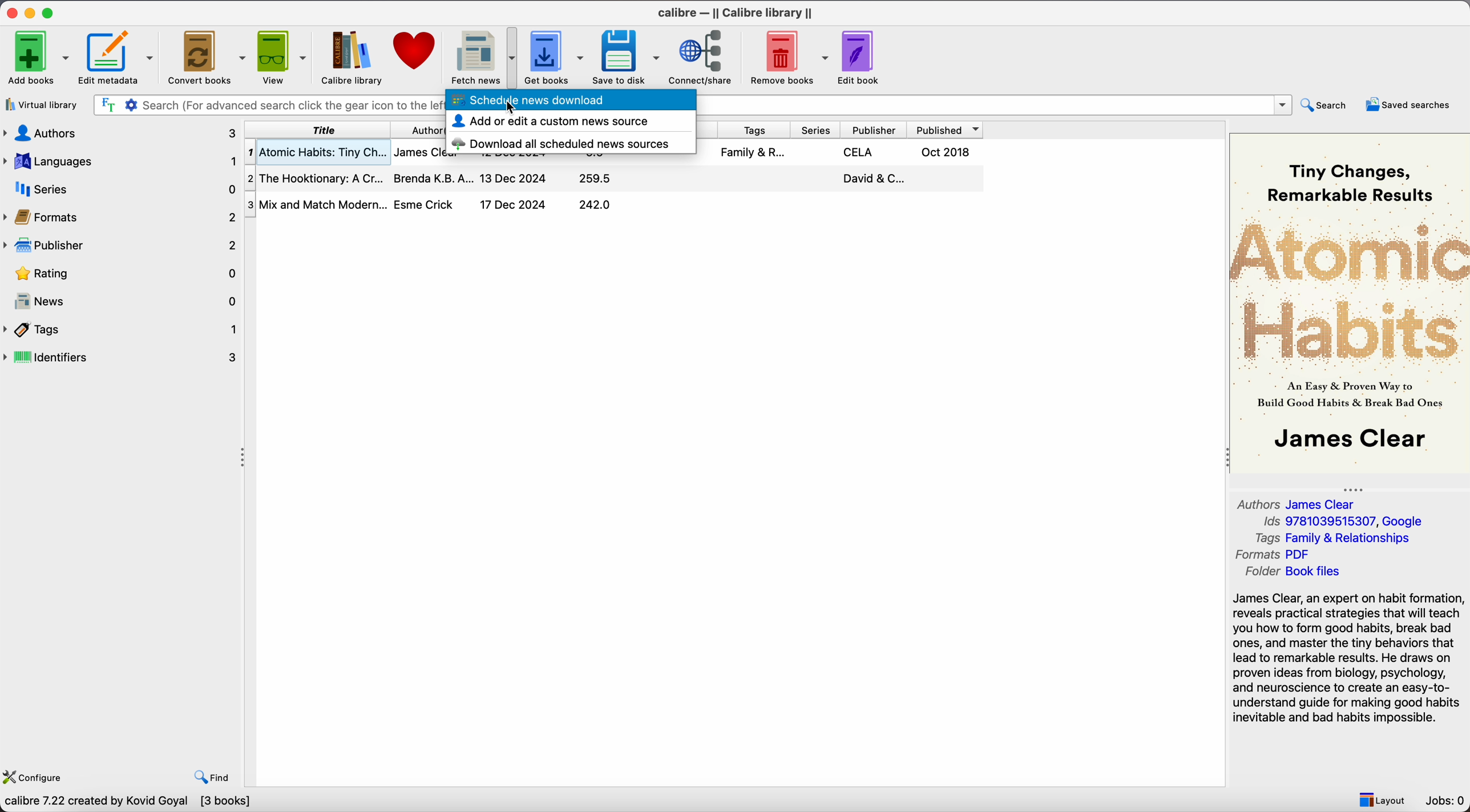 This screenshot has width=1470, height=812. I want to click on Calibre - || Calibre library ||, so click(738, 12).